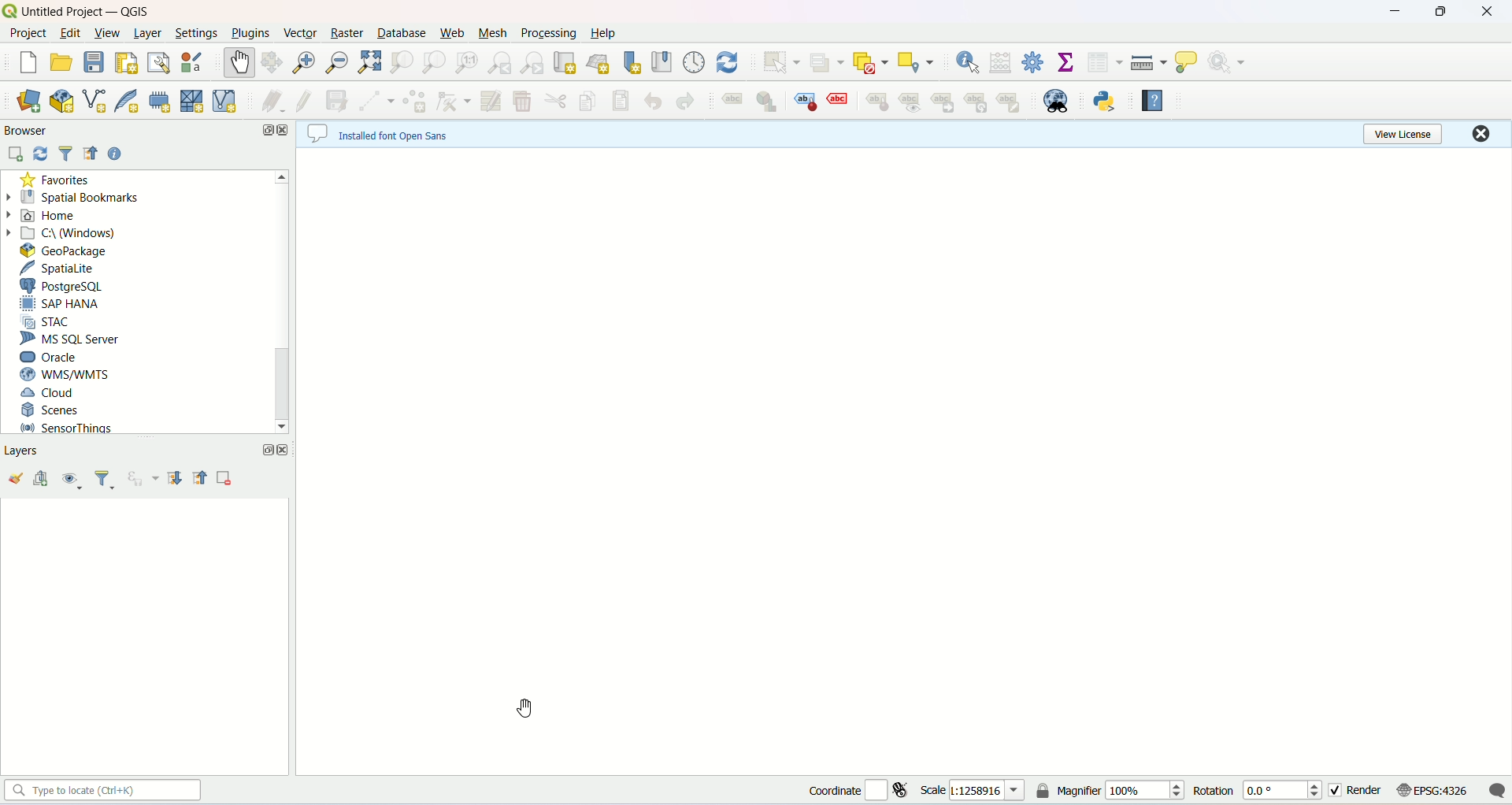  I want to click on open the layer, so click(16, 478).